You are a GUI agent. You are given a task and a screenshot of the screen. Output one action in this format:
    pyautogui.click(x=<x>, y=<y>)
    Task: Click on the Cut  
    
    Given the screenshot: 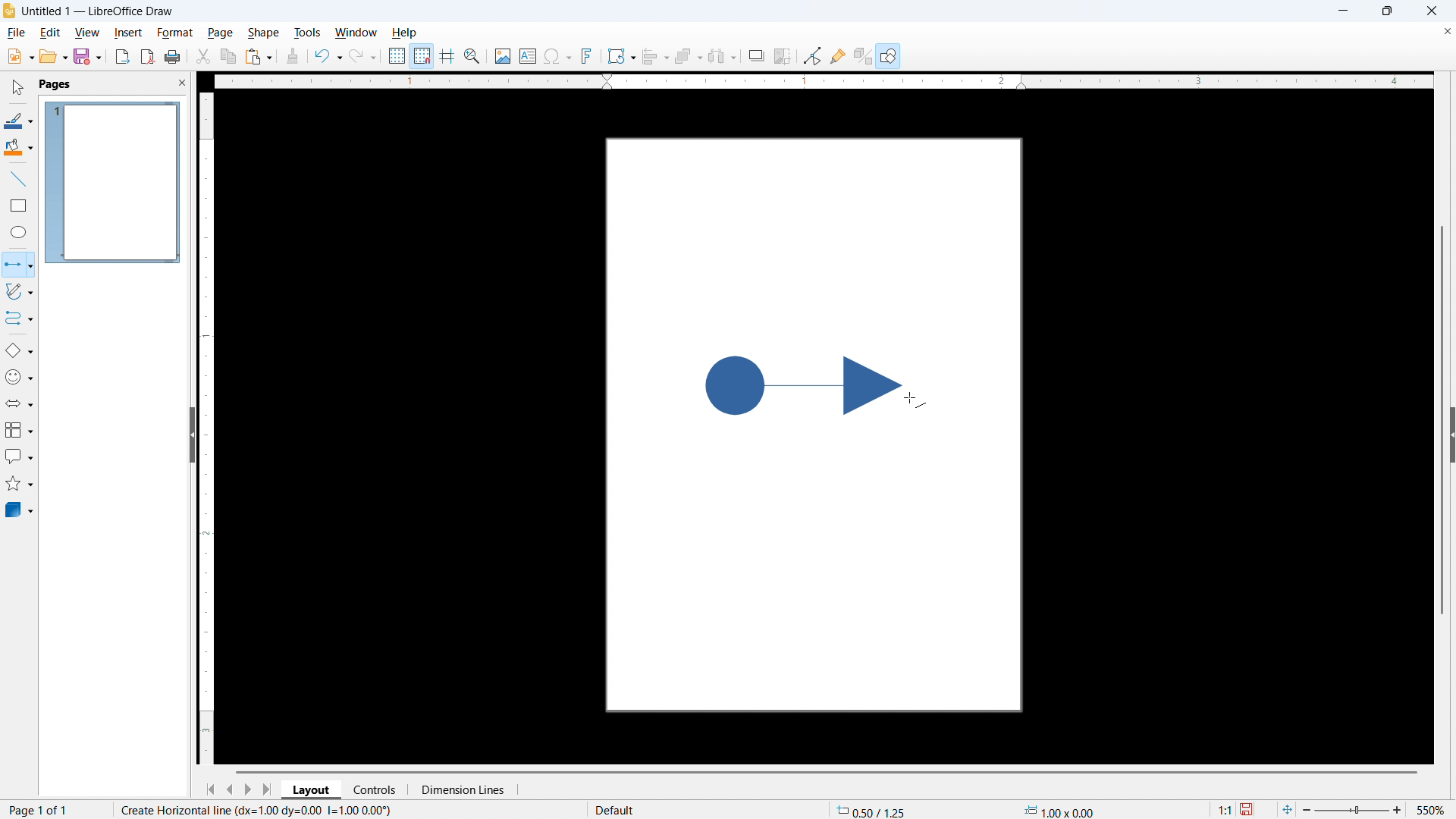 What is the action you would take?
    pyautogui.click(x=204, y=57)
    